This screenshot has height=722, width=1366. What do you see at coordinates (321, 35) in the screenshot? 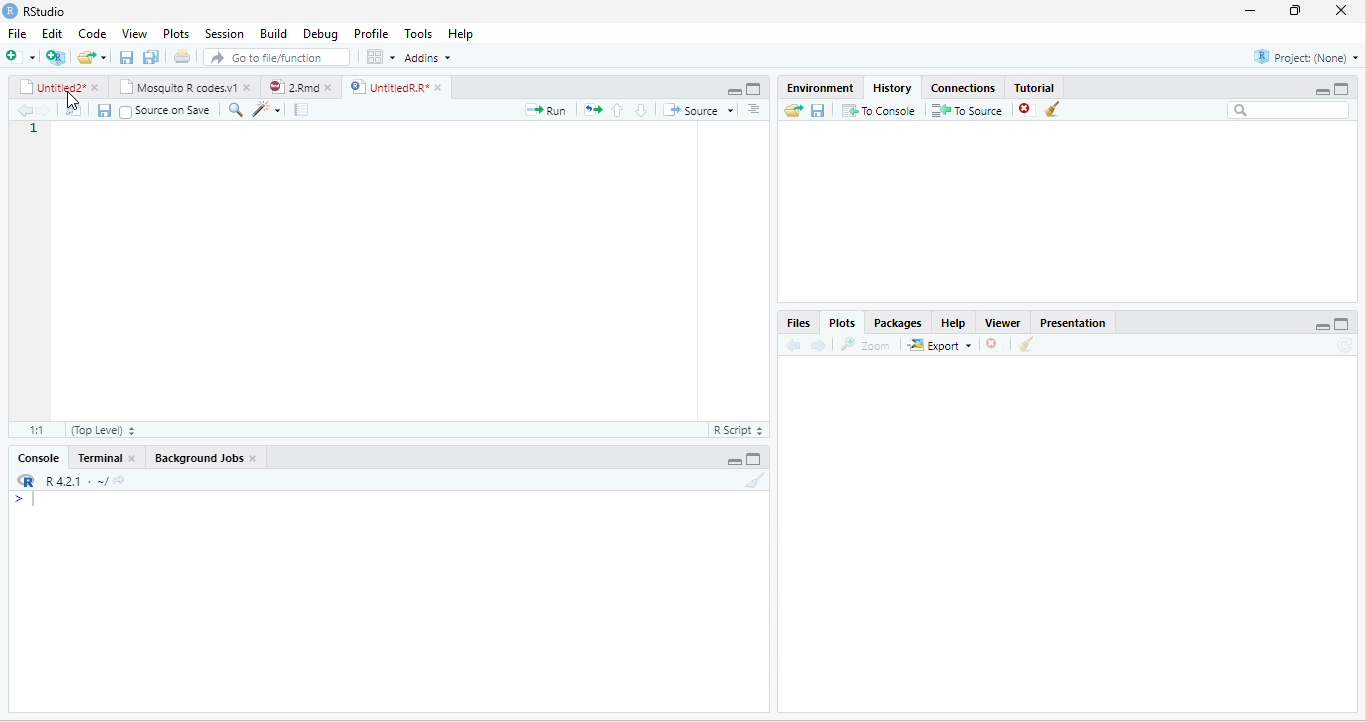
I see `debug` at bounding box center [321, 35].